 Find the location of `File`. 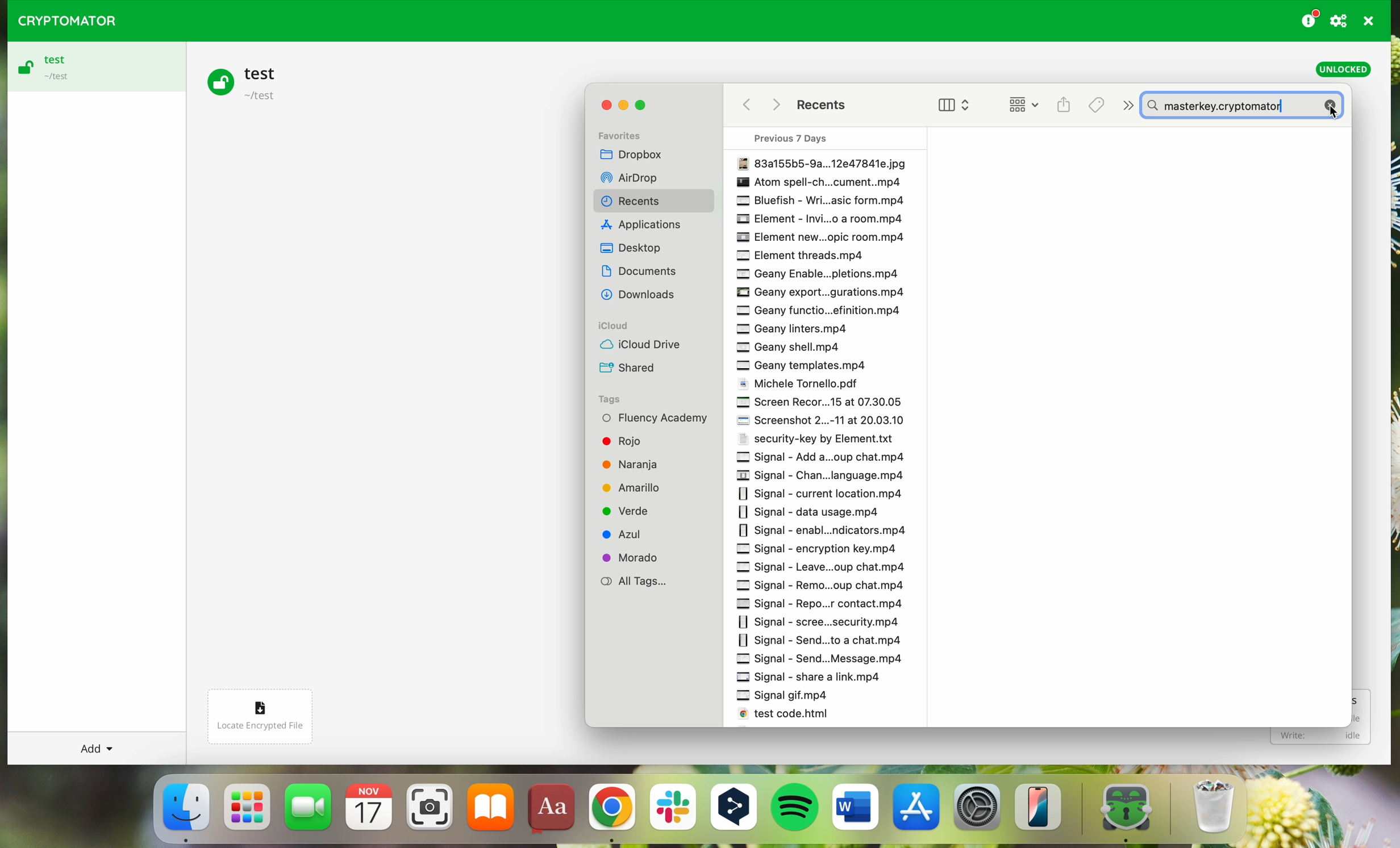

File is located at coordinates (821, 162).